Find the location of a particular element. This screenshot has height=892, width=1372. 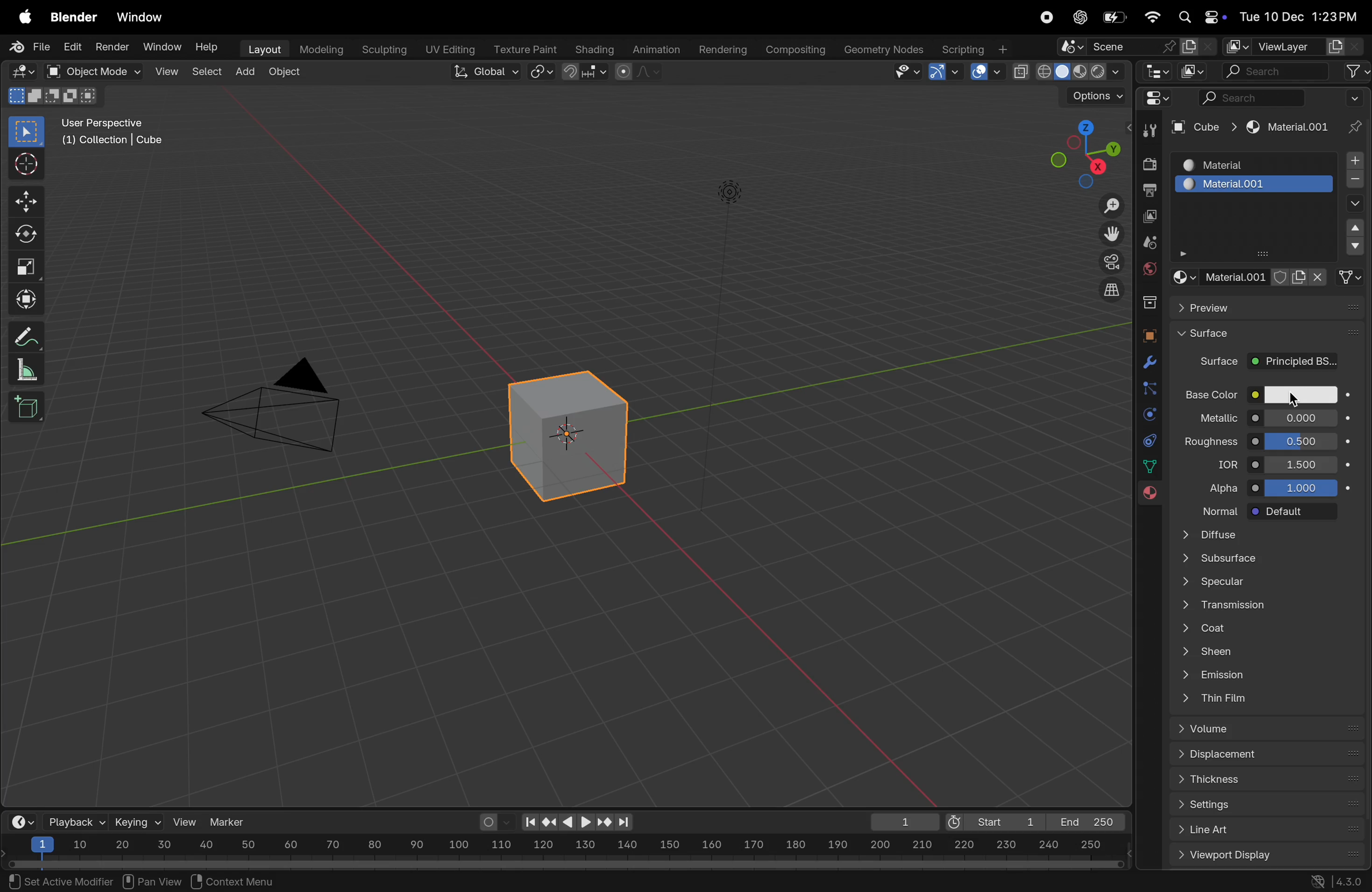

record is located at coordinates (1046, 18).